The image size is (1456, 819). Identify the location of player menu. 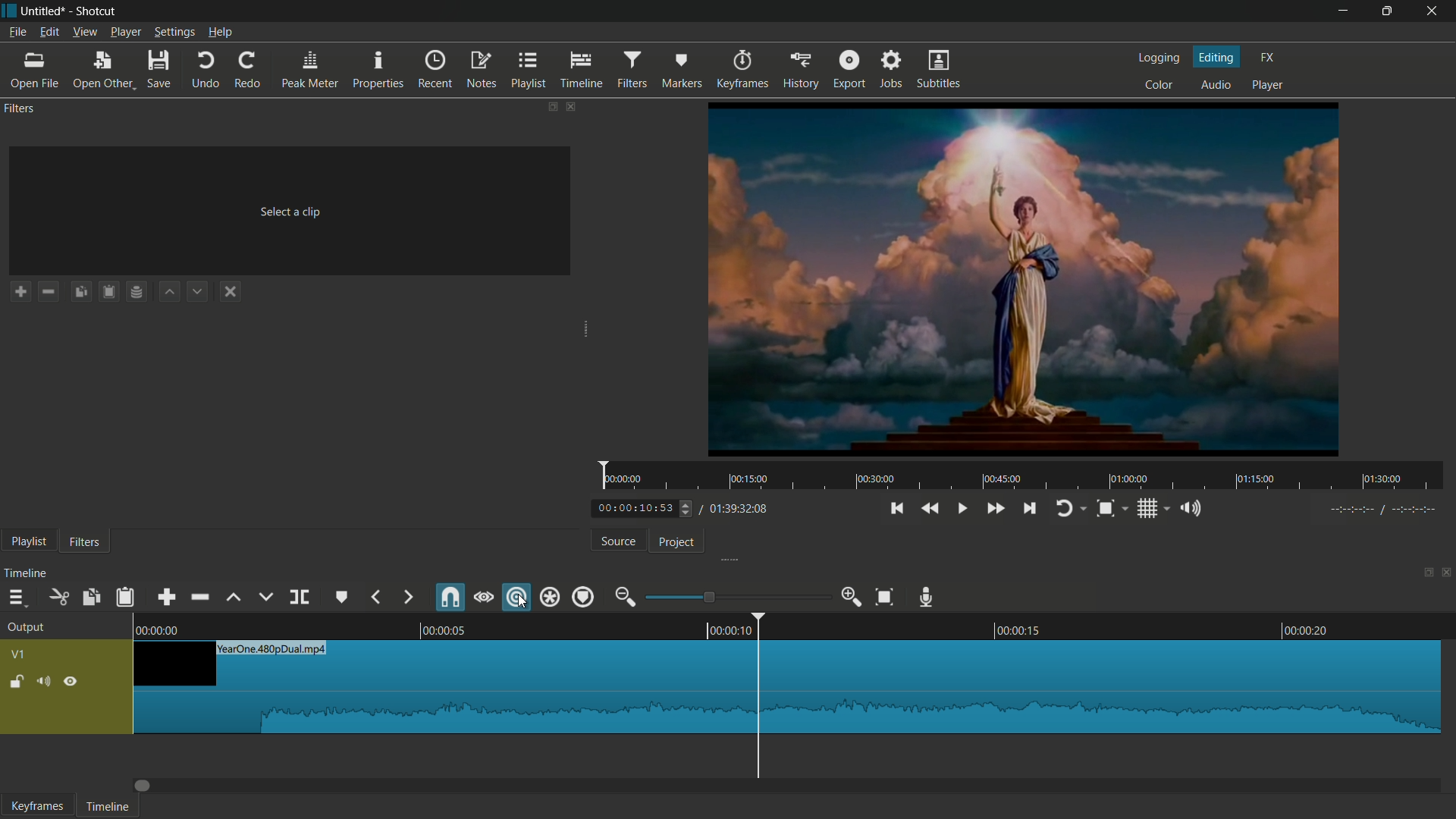
(124, 33).